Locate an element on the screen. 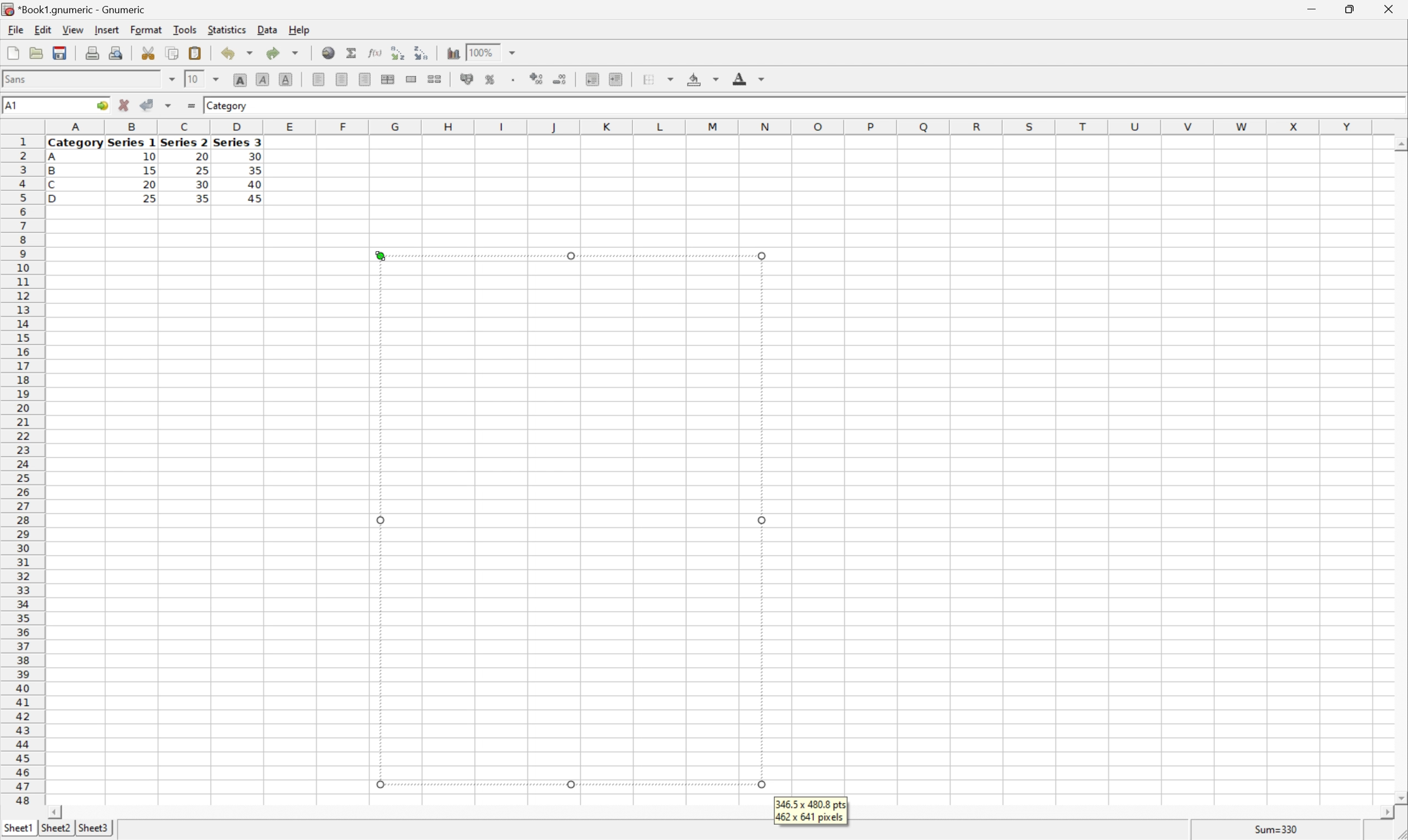 The height and width of the screenshot is (840, 1408). Cursor is located at coordinates (380, 254).